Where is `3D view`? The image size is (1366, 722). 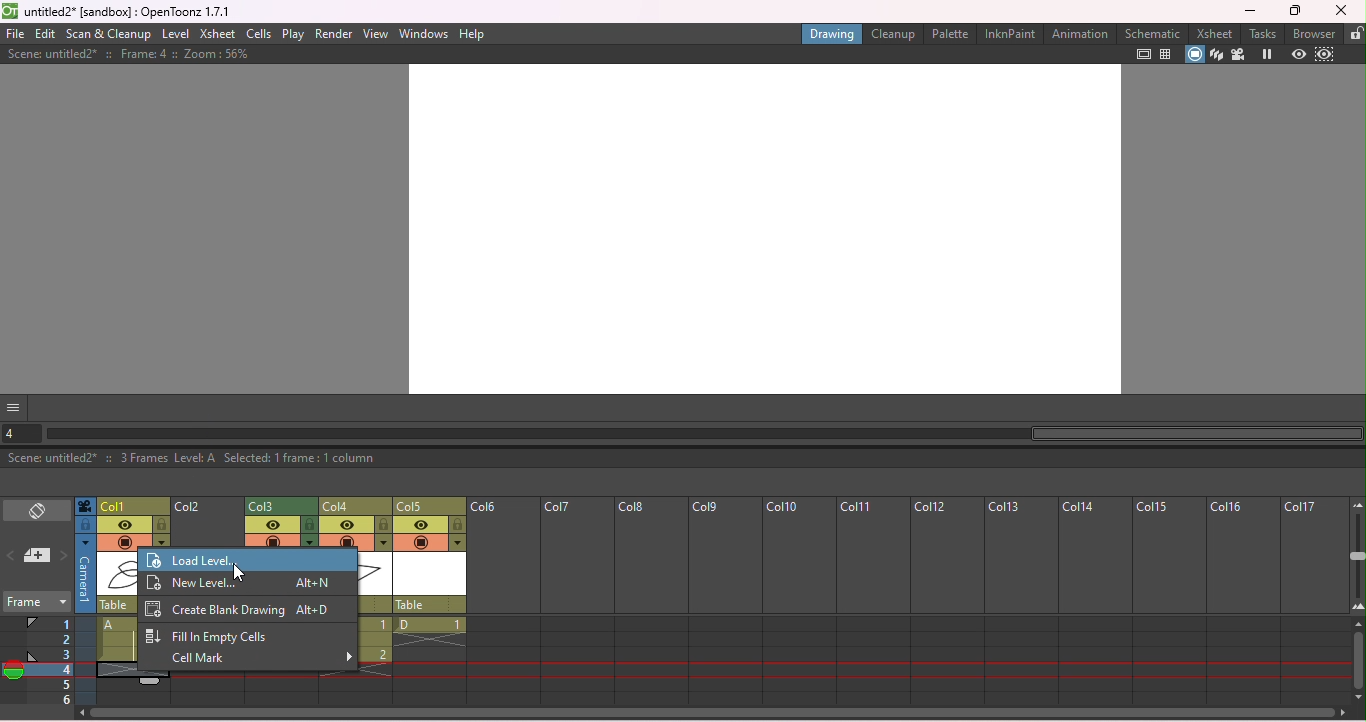
3D view is located at coordinates (1217, 55).